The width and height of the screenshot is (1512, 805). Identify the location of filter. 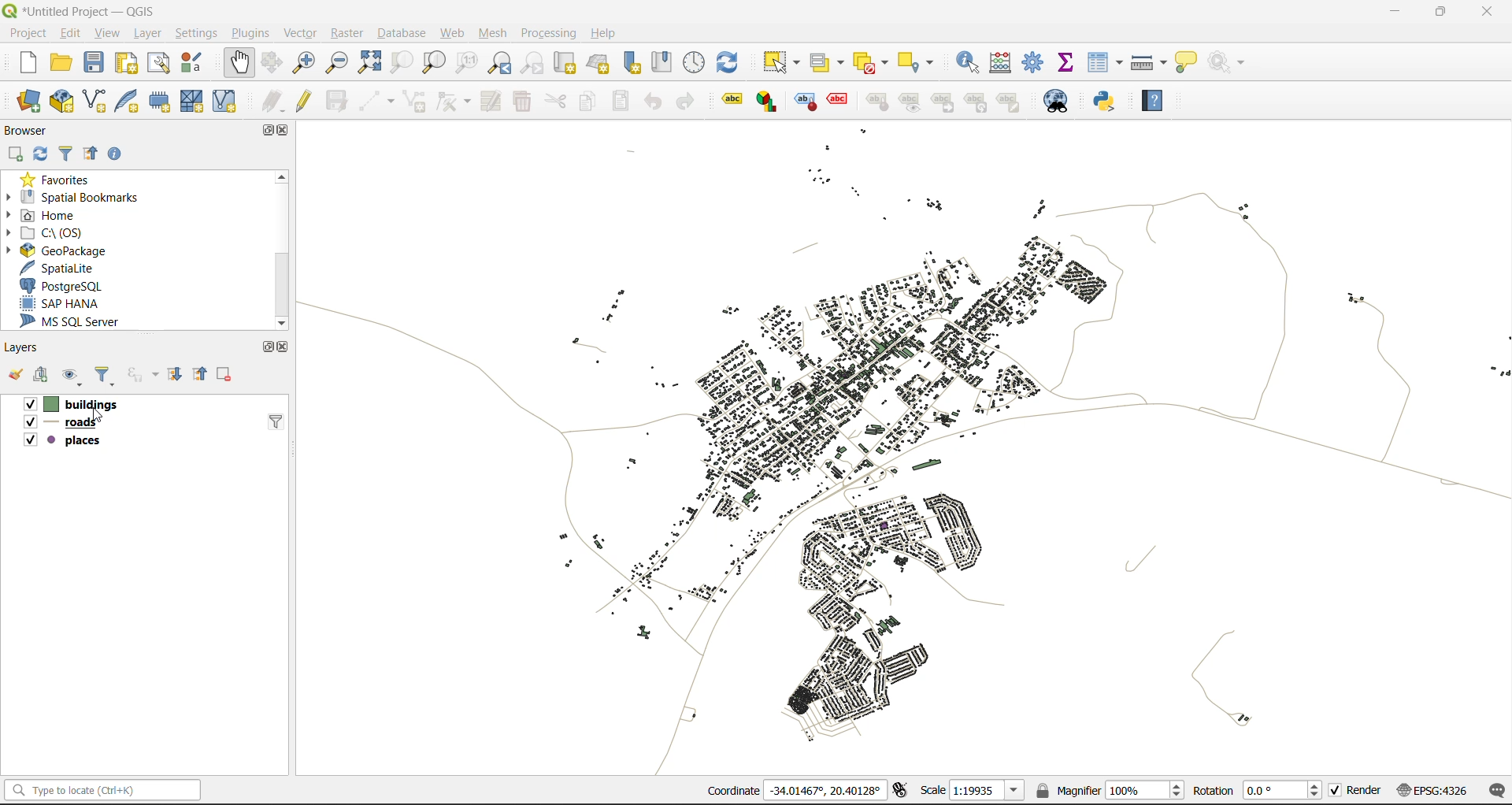
(276, 423).